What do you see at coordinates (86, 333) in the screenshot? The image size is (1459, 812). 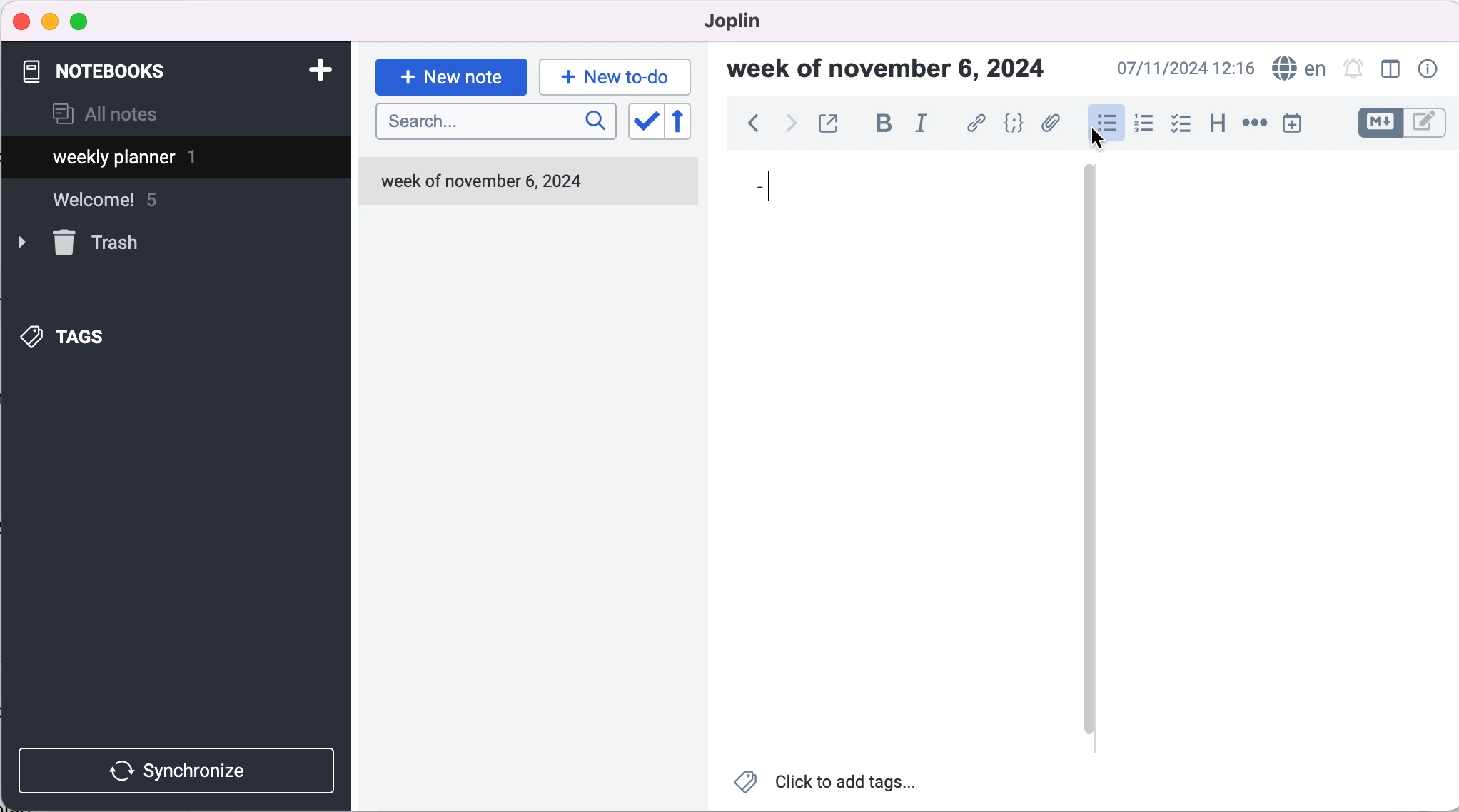 I see `tags` at bounding box center [86, 333].